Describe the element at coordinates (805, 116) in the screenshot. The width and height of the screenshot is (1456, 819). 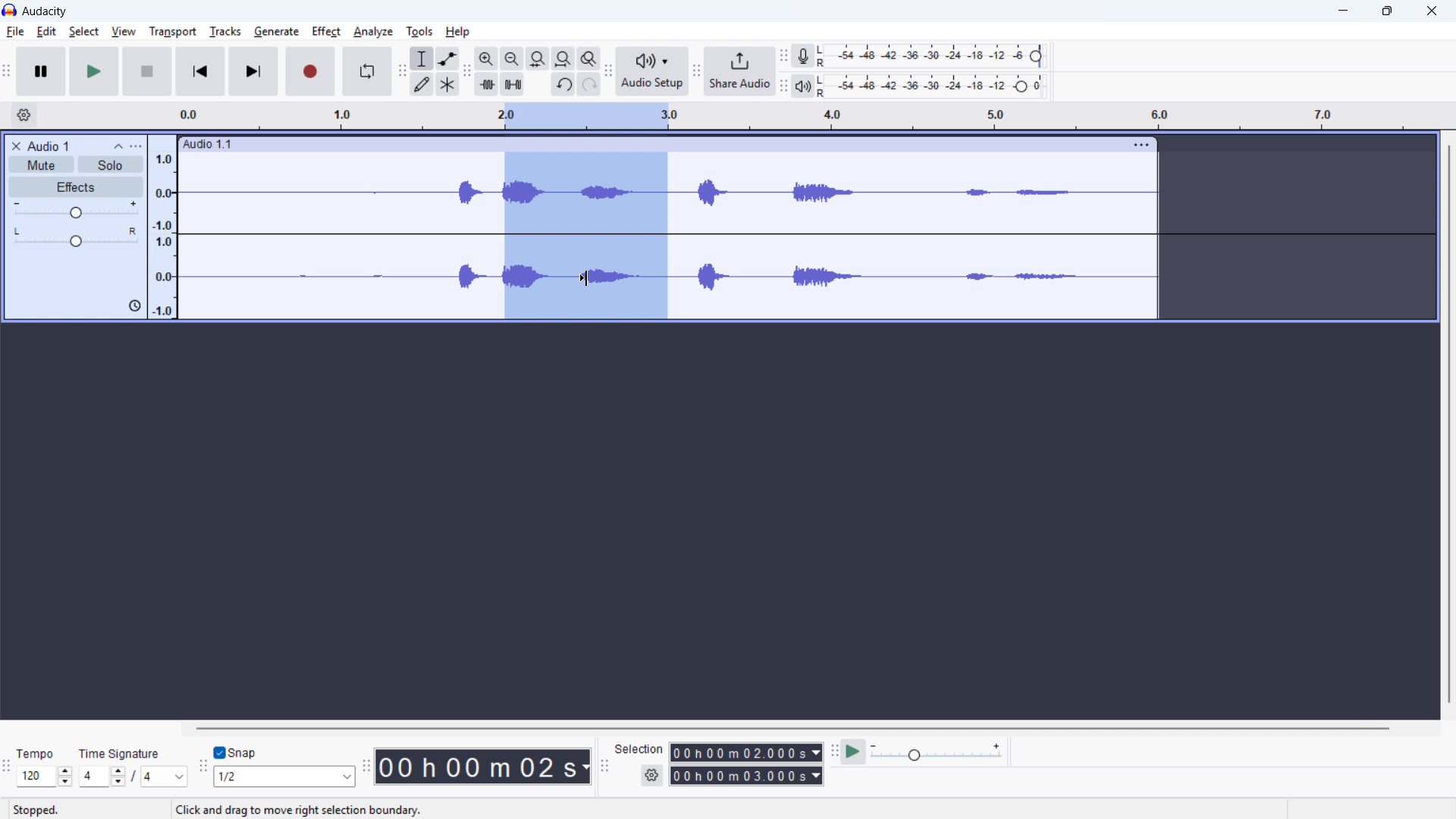
I see `Timeline` at that location.